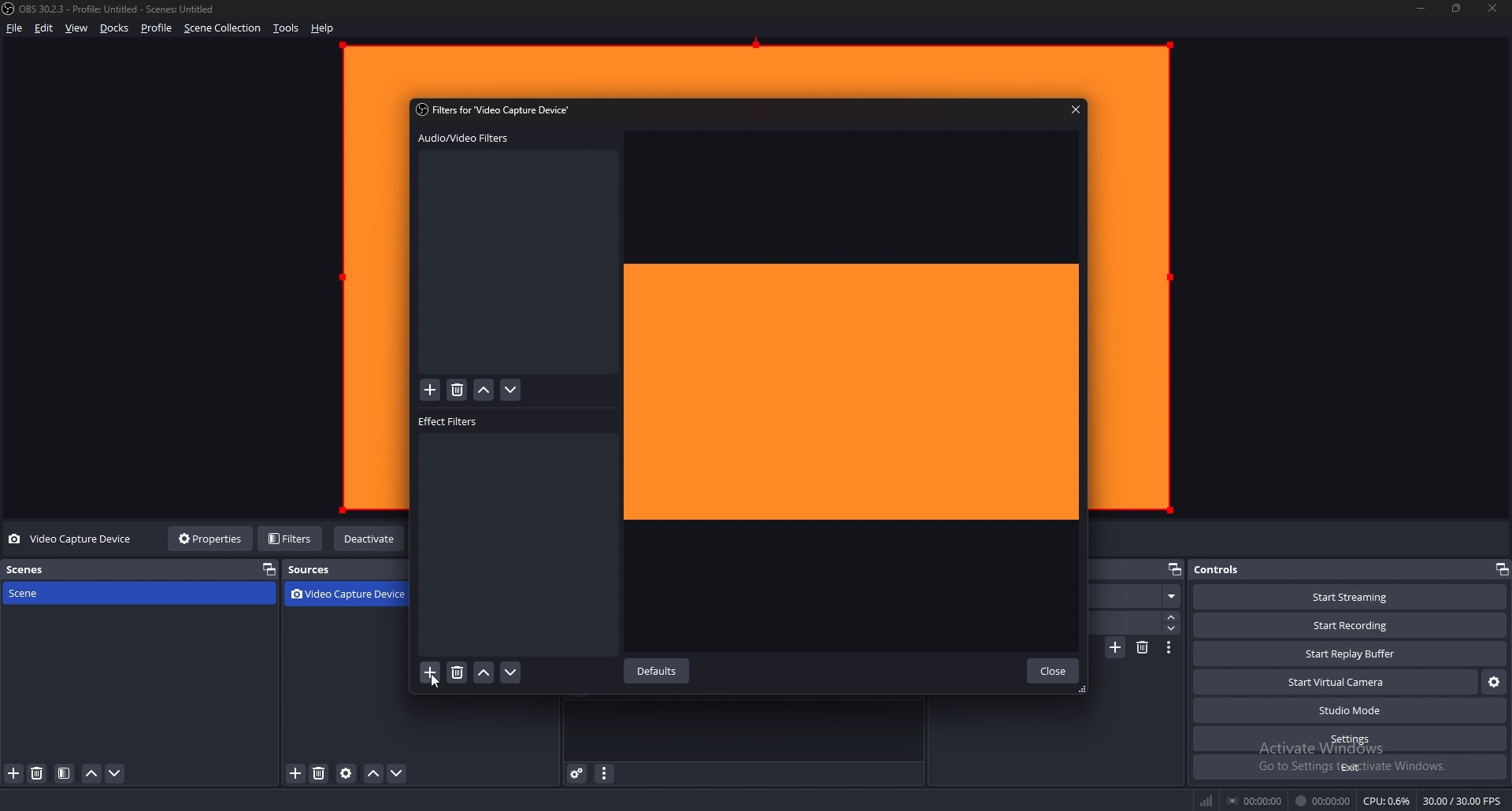 The image size is (1512, 811). Describe the element at coordinates (1168, 647) in the screenshot. I see `transition properties` at that location.